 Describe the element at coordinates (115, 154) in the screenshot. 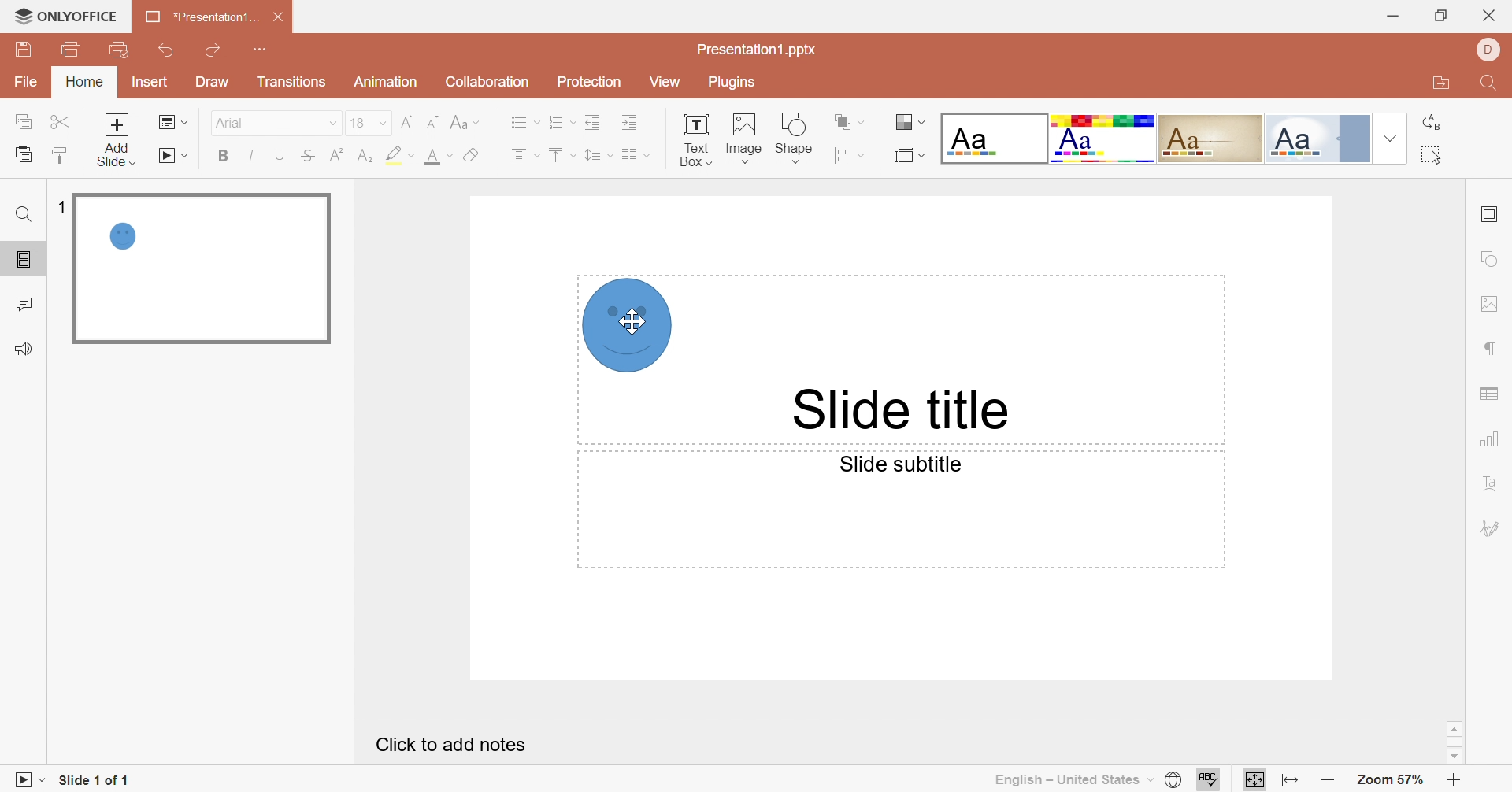

I see `add slide with theme` at that location.